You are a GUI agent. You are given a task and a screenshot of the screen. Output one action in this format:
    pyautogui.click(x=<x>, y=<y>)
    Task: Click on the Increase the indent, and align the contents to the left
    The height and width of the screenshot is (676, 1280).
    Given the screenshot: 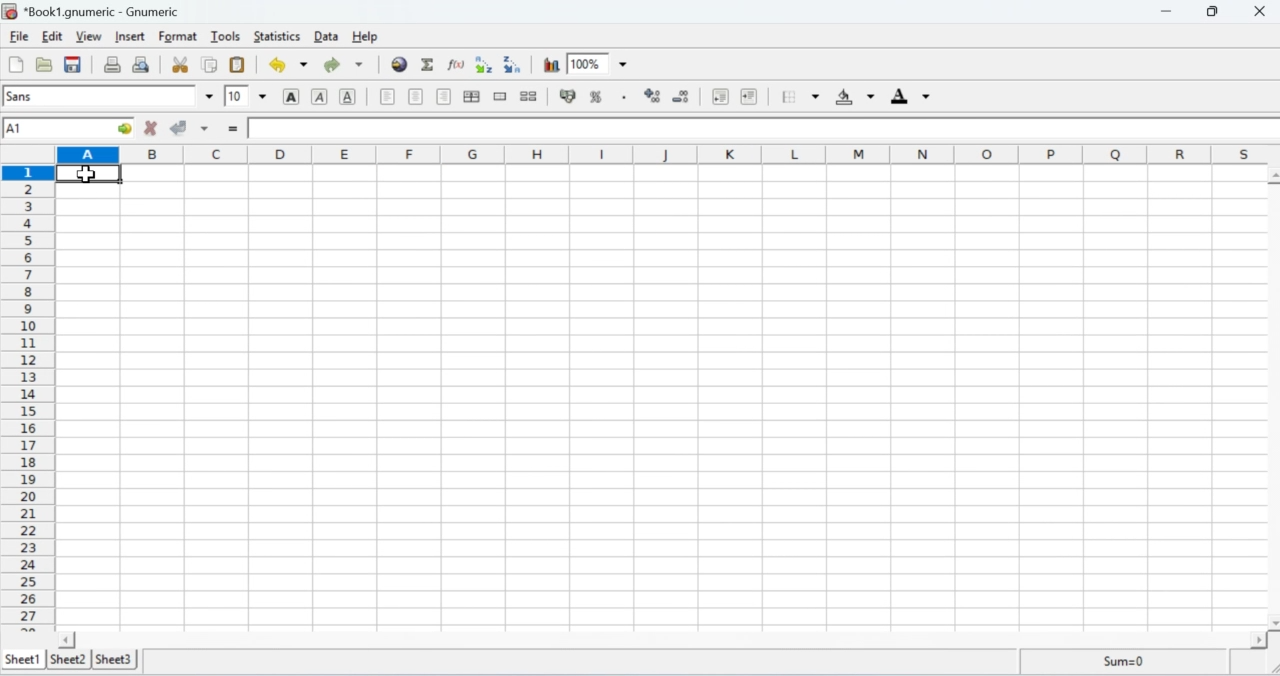 What is the action you would take?
    pyautogui.click(x=750, y=96)
    